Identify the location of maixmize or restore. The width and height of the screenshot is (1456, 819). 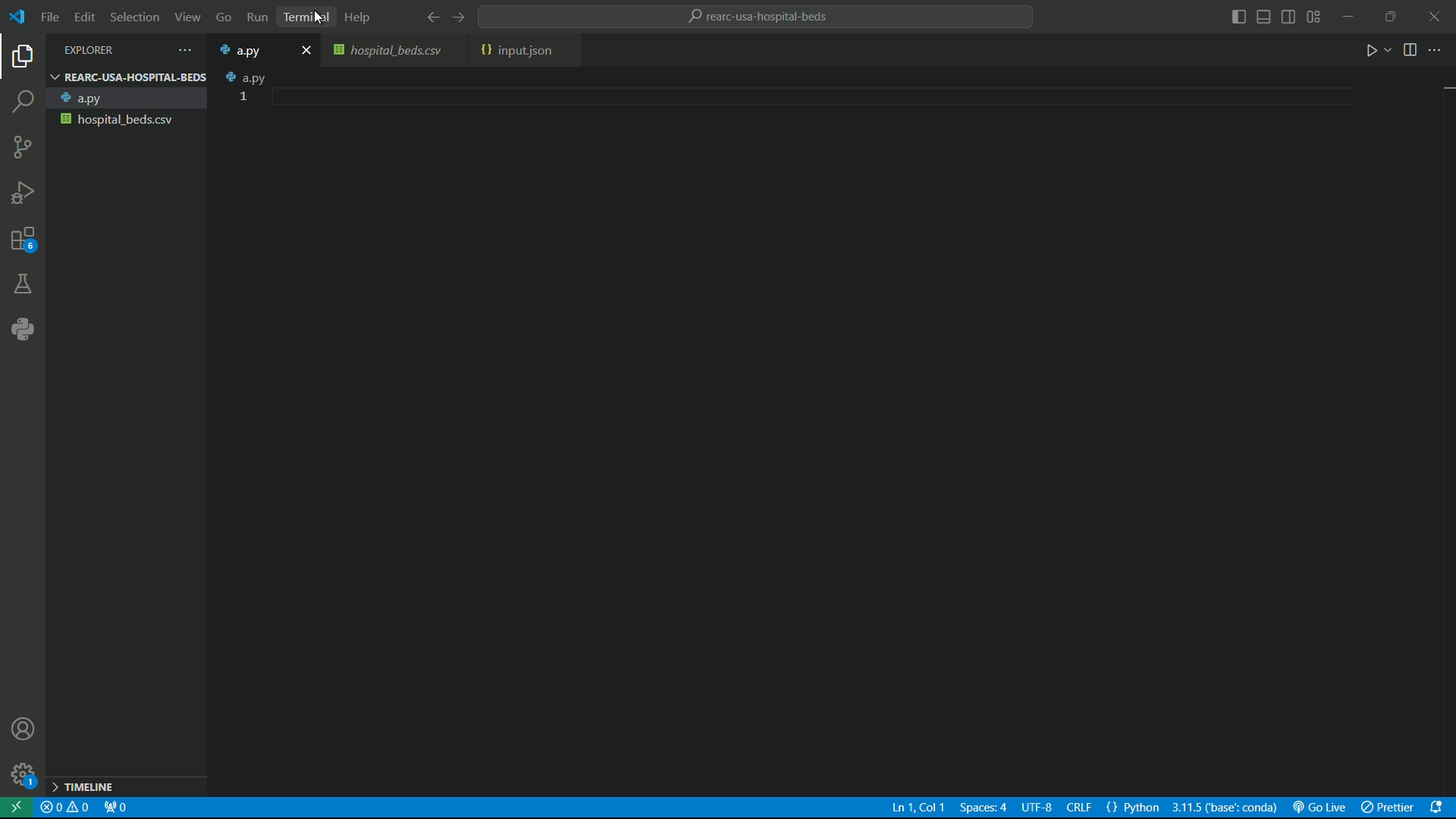
(1391, 17).